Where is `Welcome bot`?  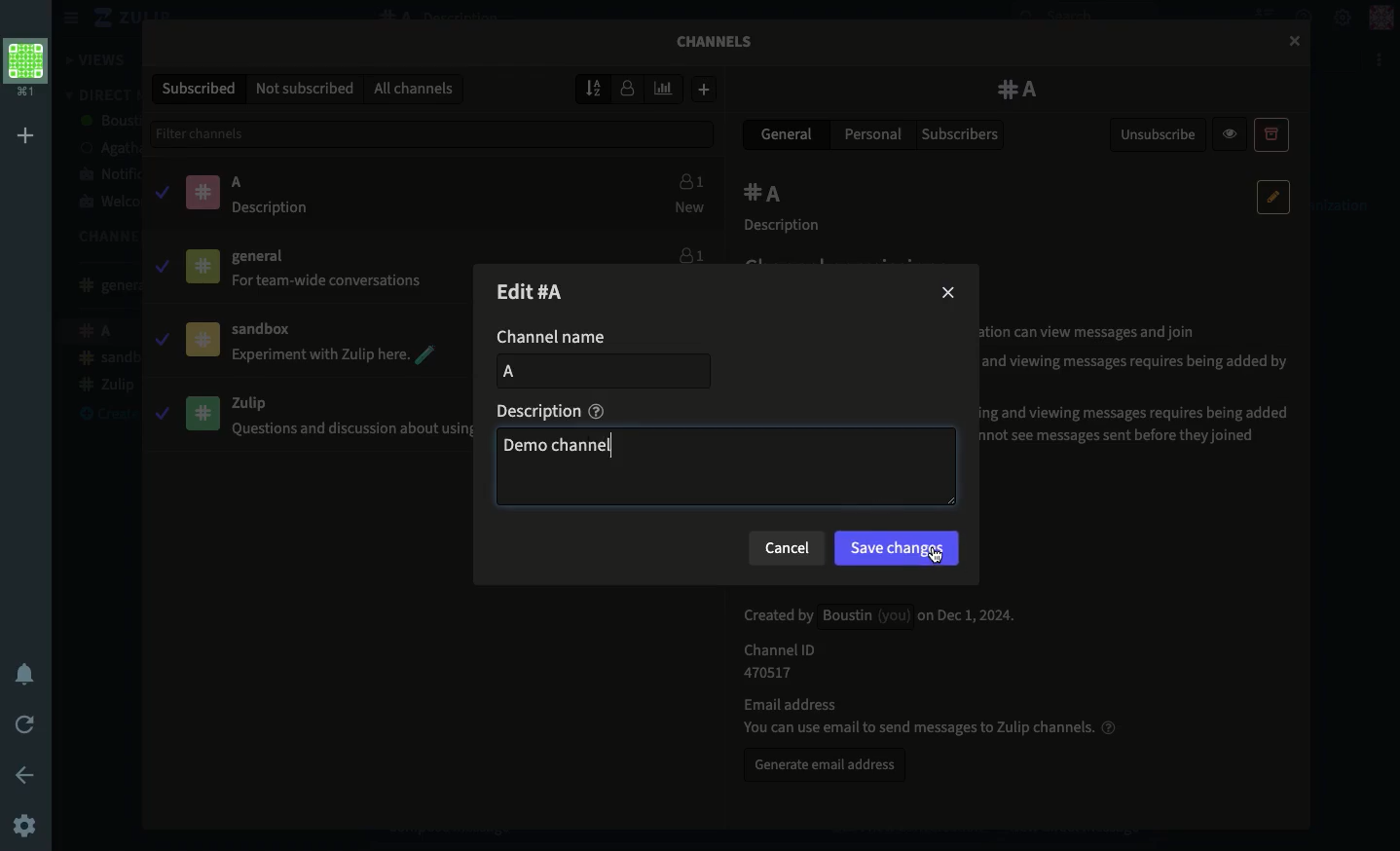 Welcome bot is located at coordinates (108, 203).